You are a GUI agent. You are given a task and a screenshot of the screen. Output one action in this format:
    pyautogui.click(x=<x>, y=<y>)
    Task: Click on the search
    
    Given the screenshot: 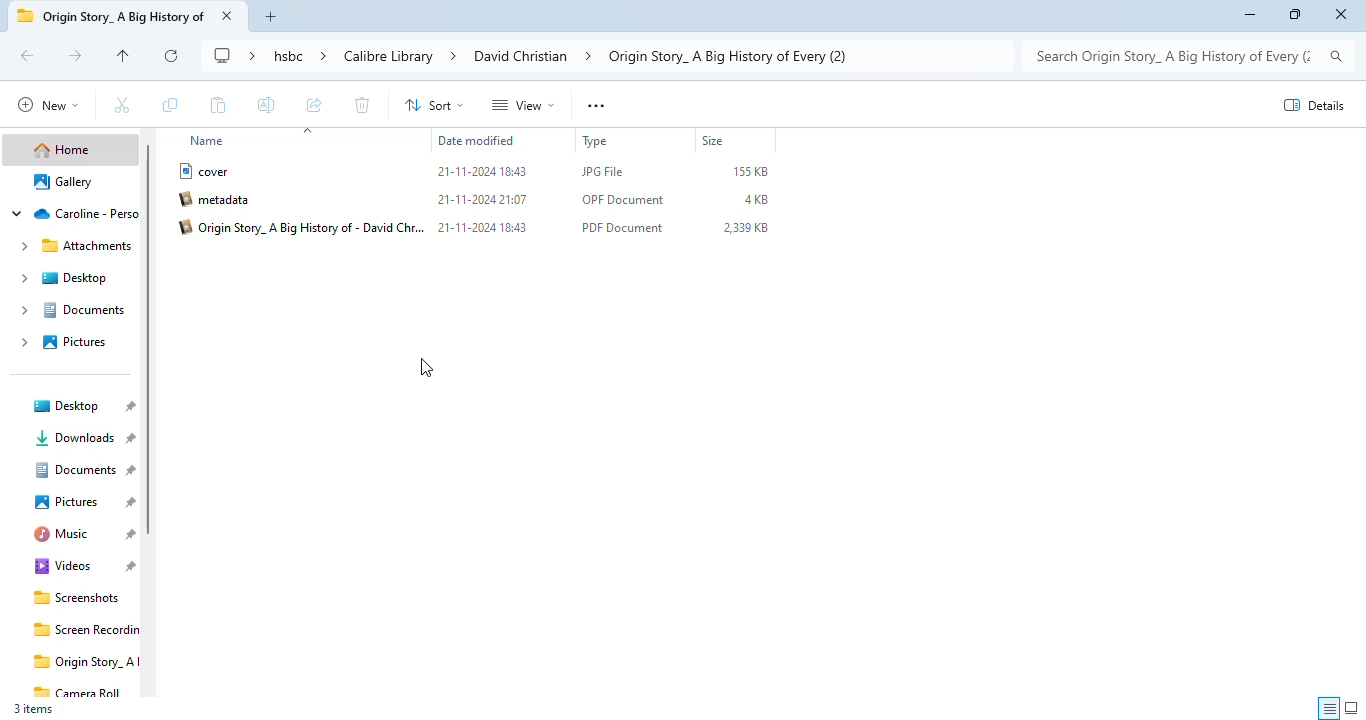 What is the action you would take?
    pyautogui.click(x=1188, y=57)
    